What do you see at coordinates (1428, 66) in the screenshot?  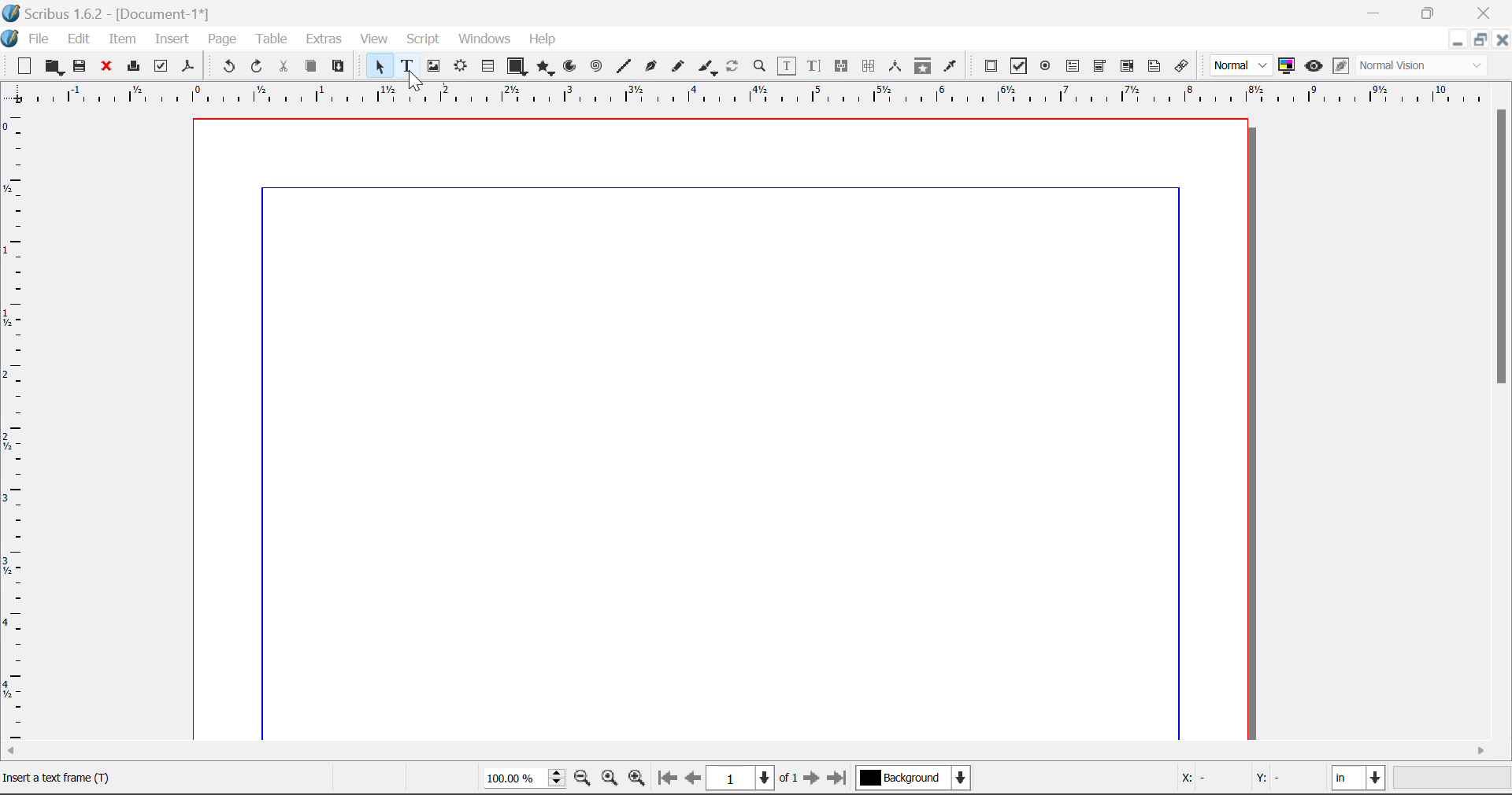 I see `Display Visual Appearance` at bounding box center [1428, 66].